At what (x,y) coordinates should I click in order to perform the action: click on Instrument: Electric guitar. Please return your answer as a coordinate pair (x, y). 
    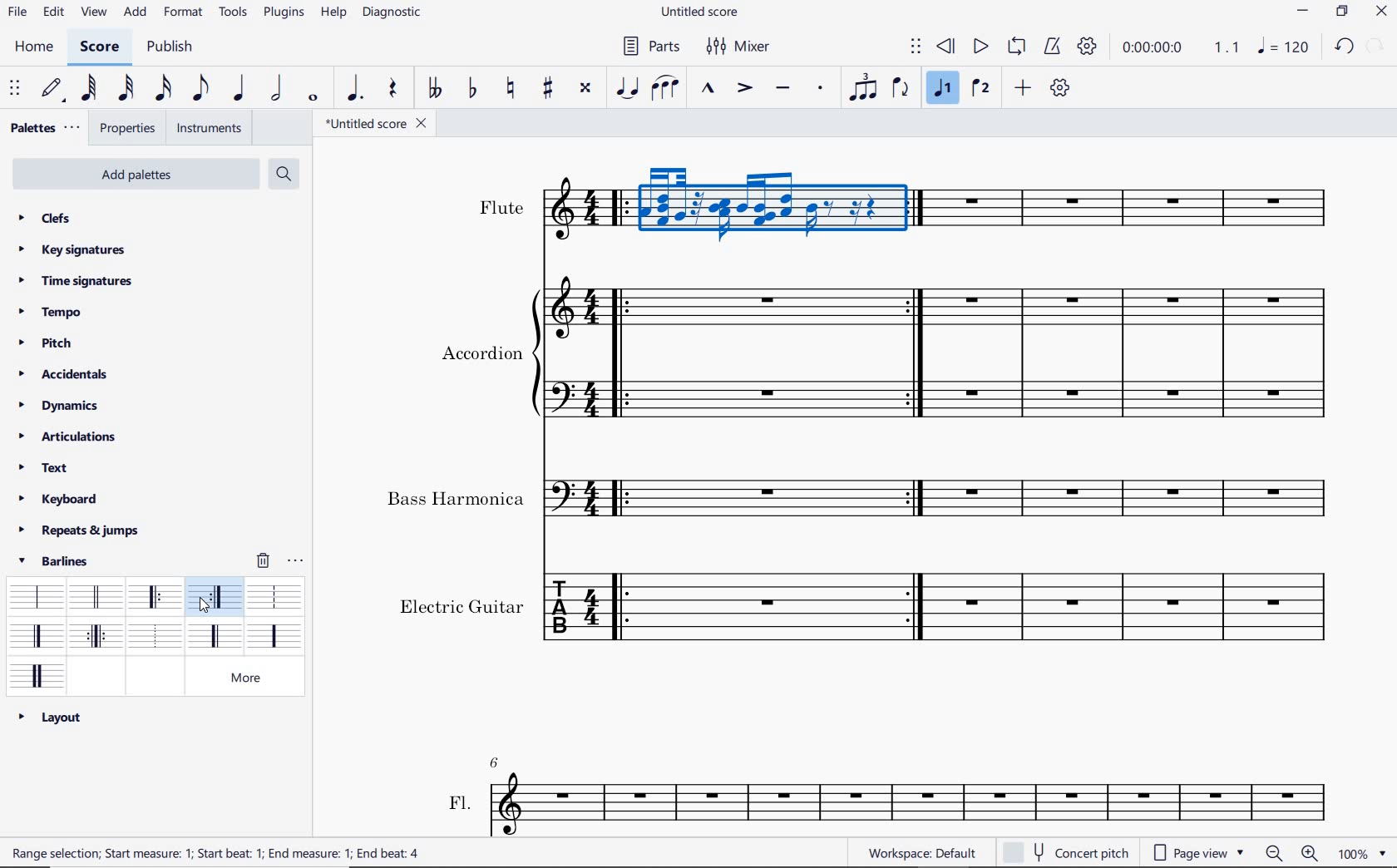
    Looking at the image, I should click on (572, 611).